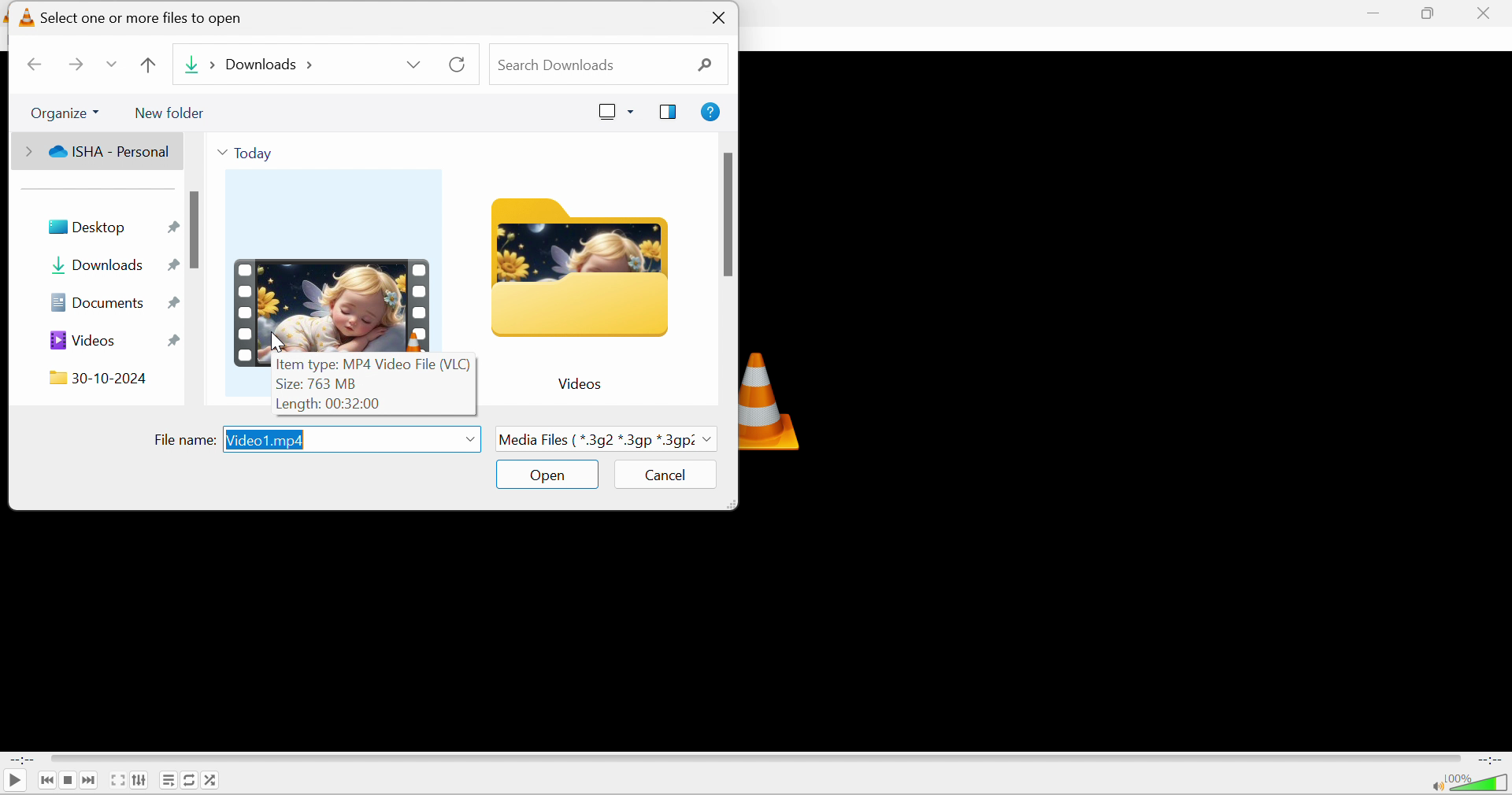 The width and height of the screenshot is (1512, 795). What do you see at coordinates (21, 762) in the screenshot?
I see `Start Time` at bounding box center [21, 762].